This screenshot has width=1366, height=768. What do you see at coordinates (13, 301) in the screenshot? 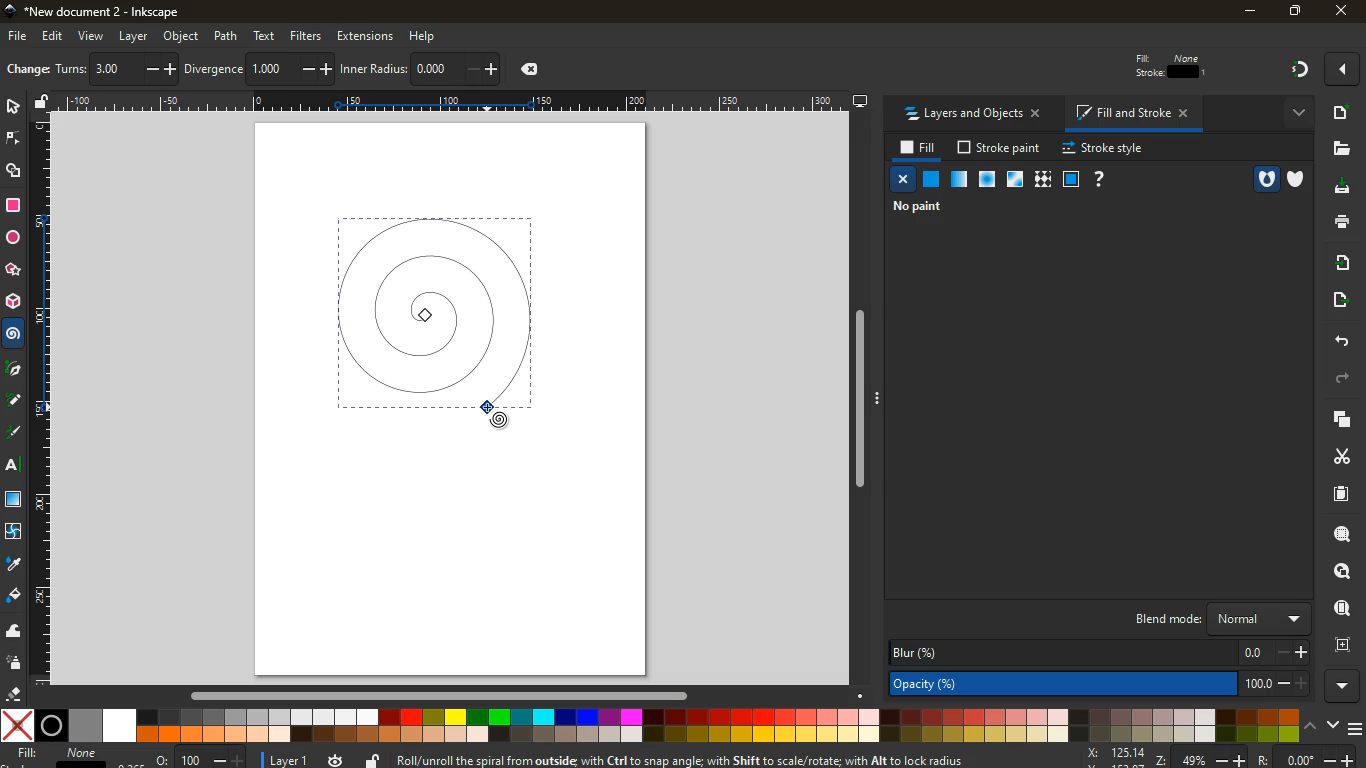
I see `3d tool box` at bounding box center [13, 301].